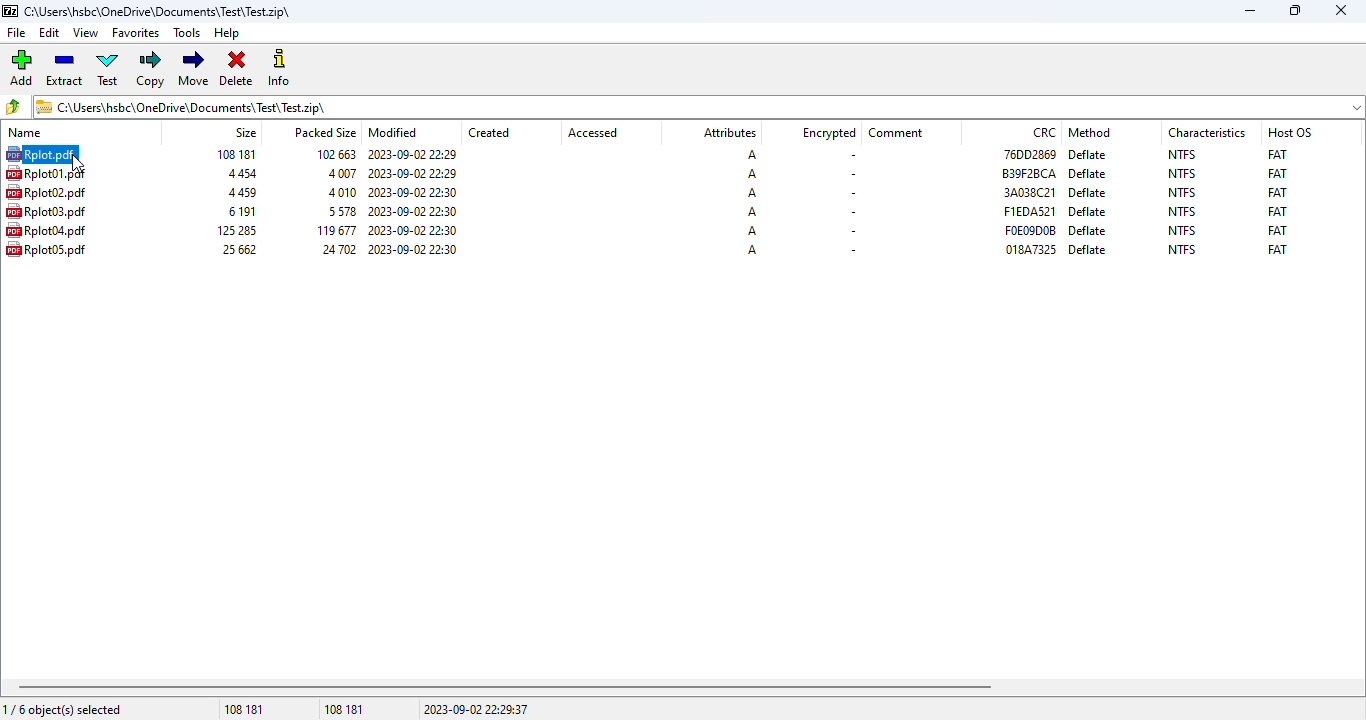 This screenshot has width=1366, height=720. I want to click on NTFS, so click(1182, 192).